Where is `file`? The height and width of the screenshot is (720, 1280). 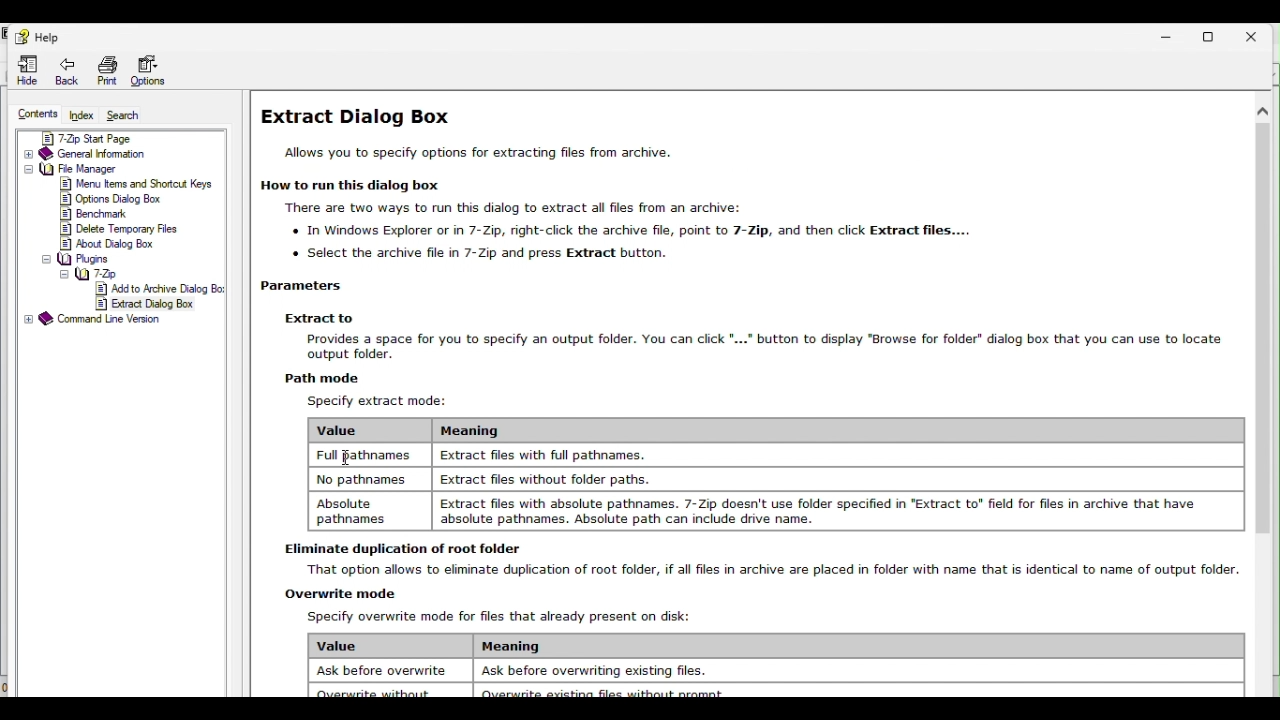 file is located at coordinates (122, 168).